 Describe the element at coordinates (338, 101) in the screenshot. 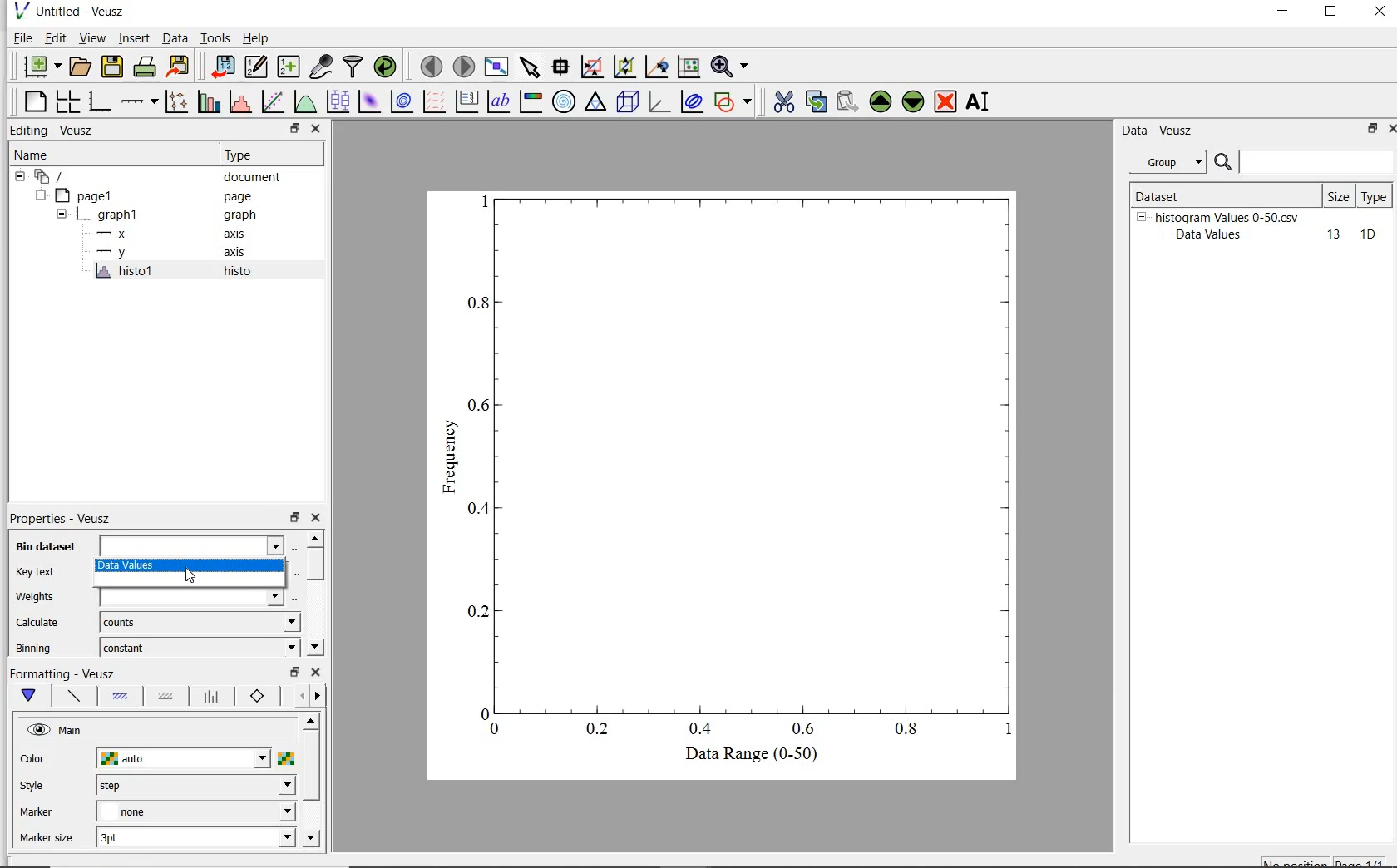

I see `plot boxplots` at that location.